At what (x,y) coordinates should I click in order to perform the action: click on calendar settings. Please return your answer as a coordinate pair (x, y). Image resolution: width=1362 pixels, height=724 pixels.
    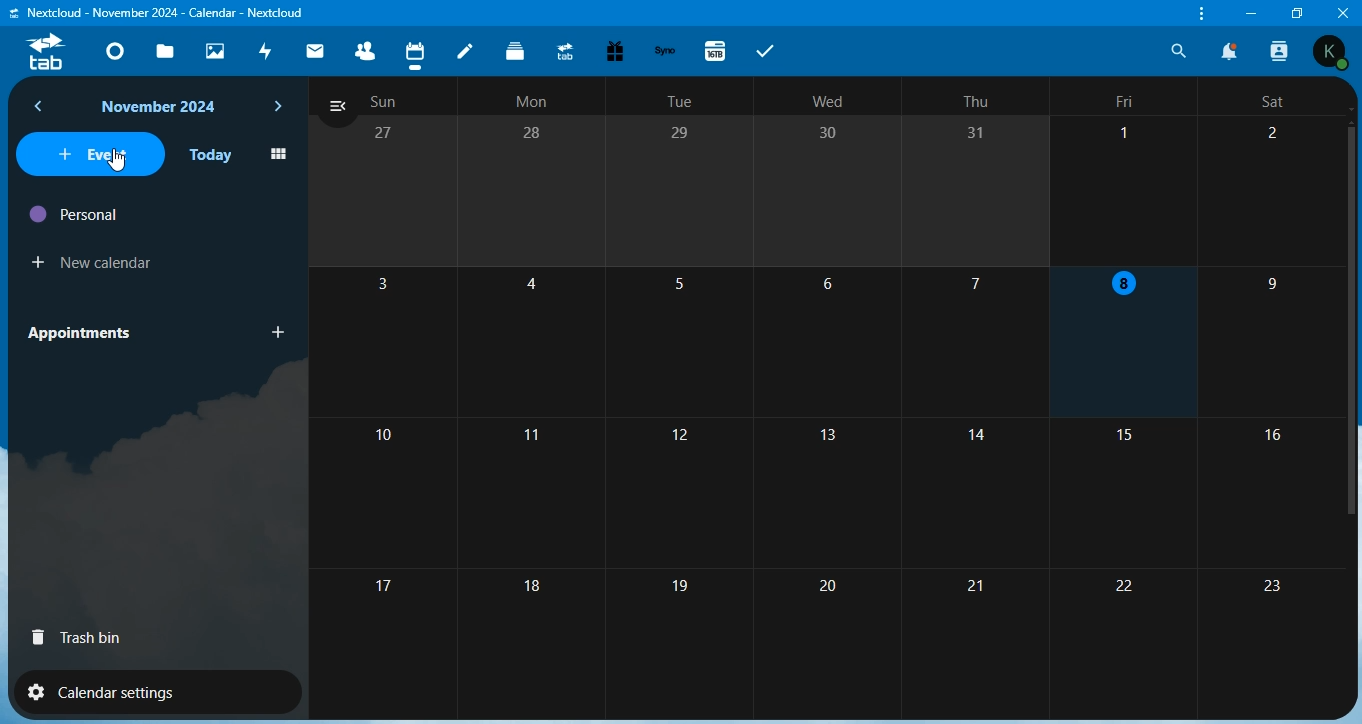
    Looking at the image, I should click on (128, 691).